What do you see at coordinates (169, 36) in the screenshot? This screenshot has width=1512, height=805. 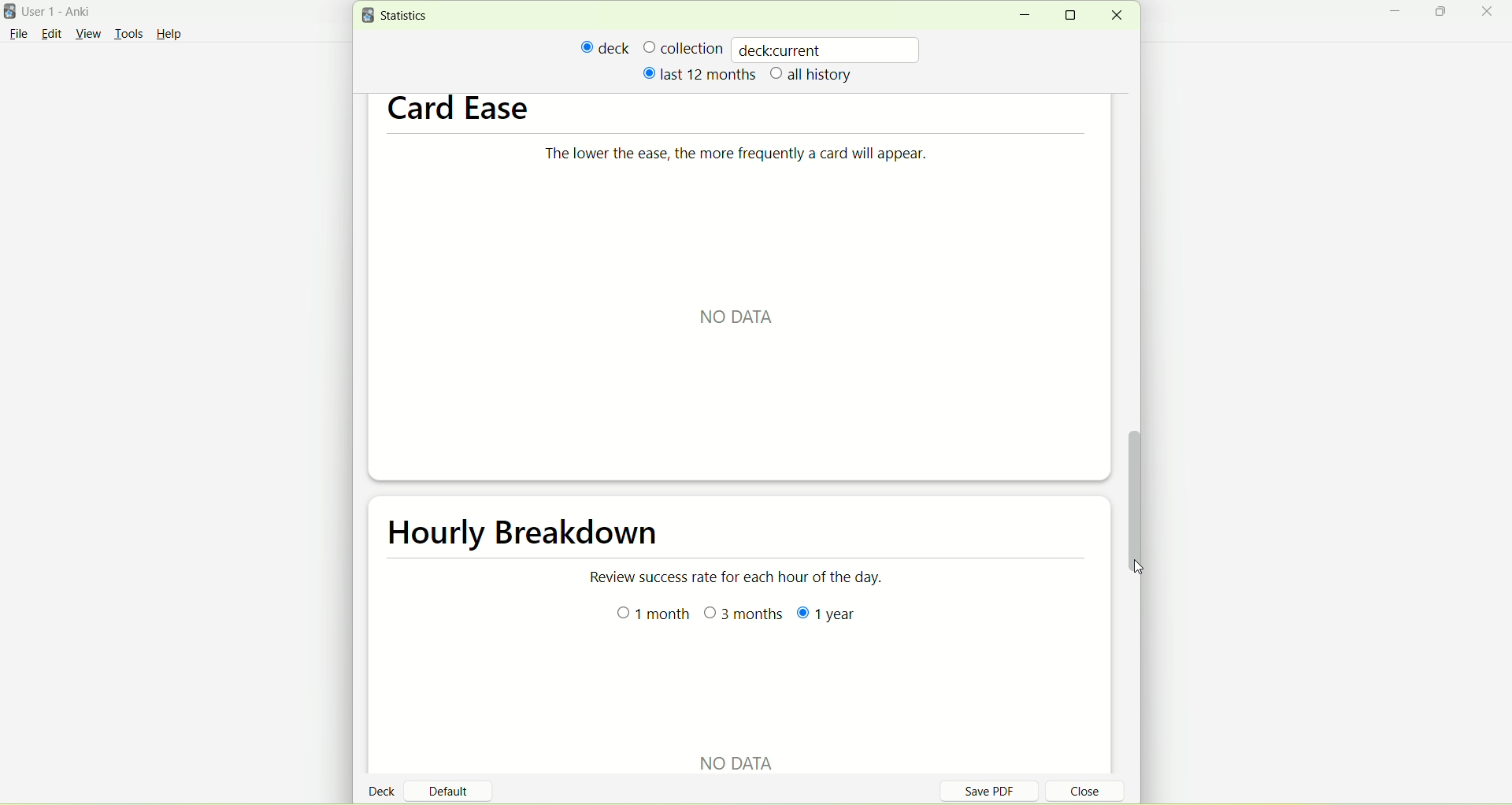 I see `Help` at bounding box center [169, 36].